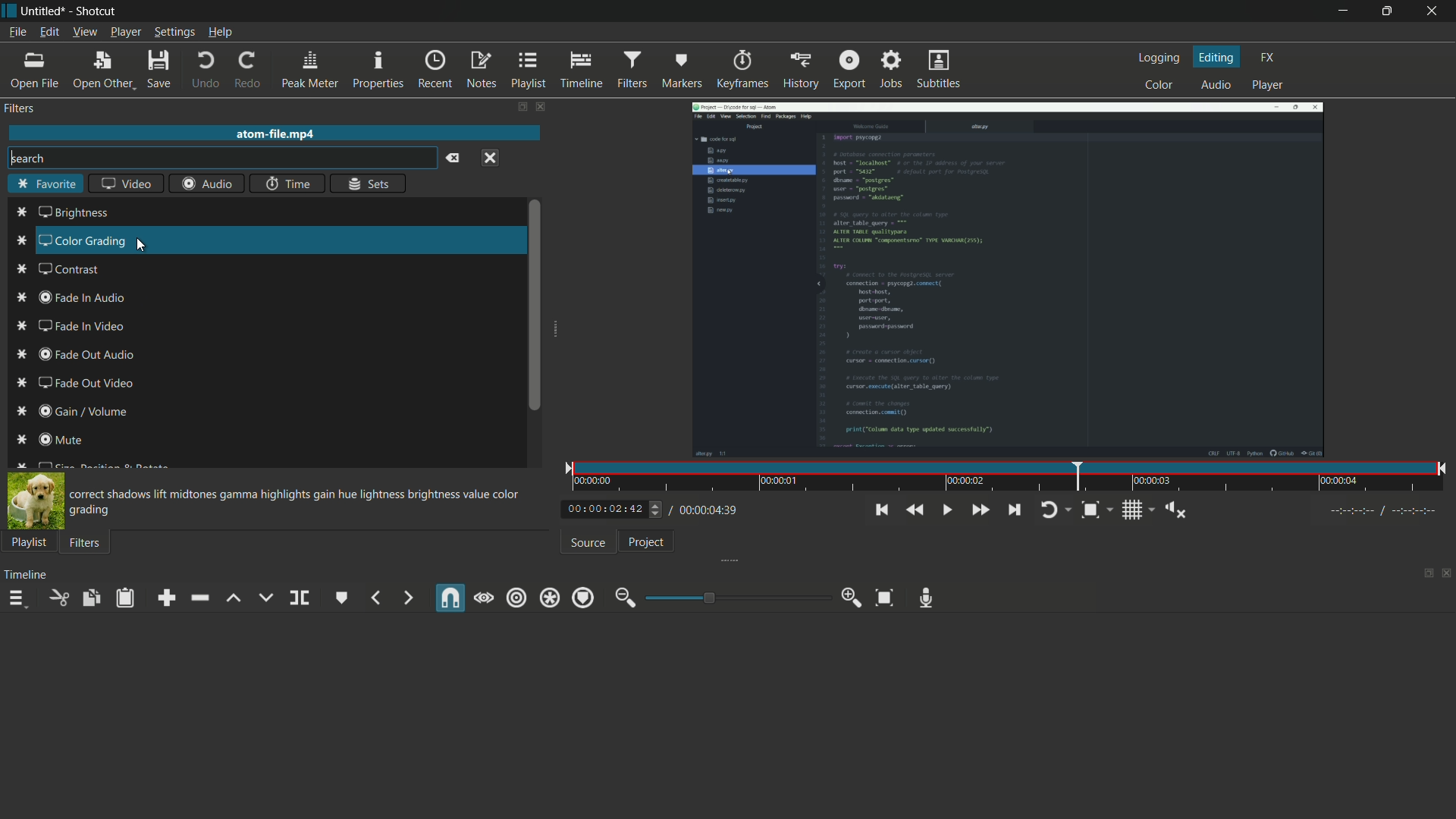  I want to click on show volume control, so click(1179, 511).